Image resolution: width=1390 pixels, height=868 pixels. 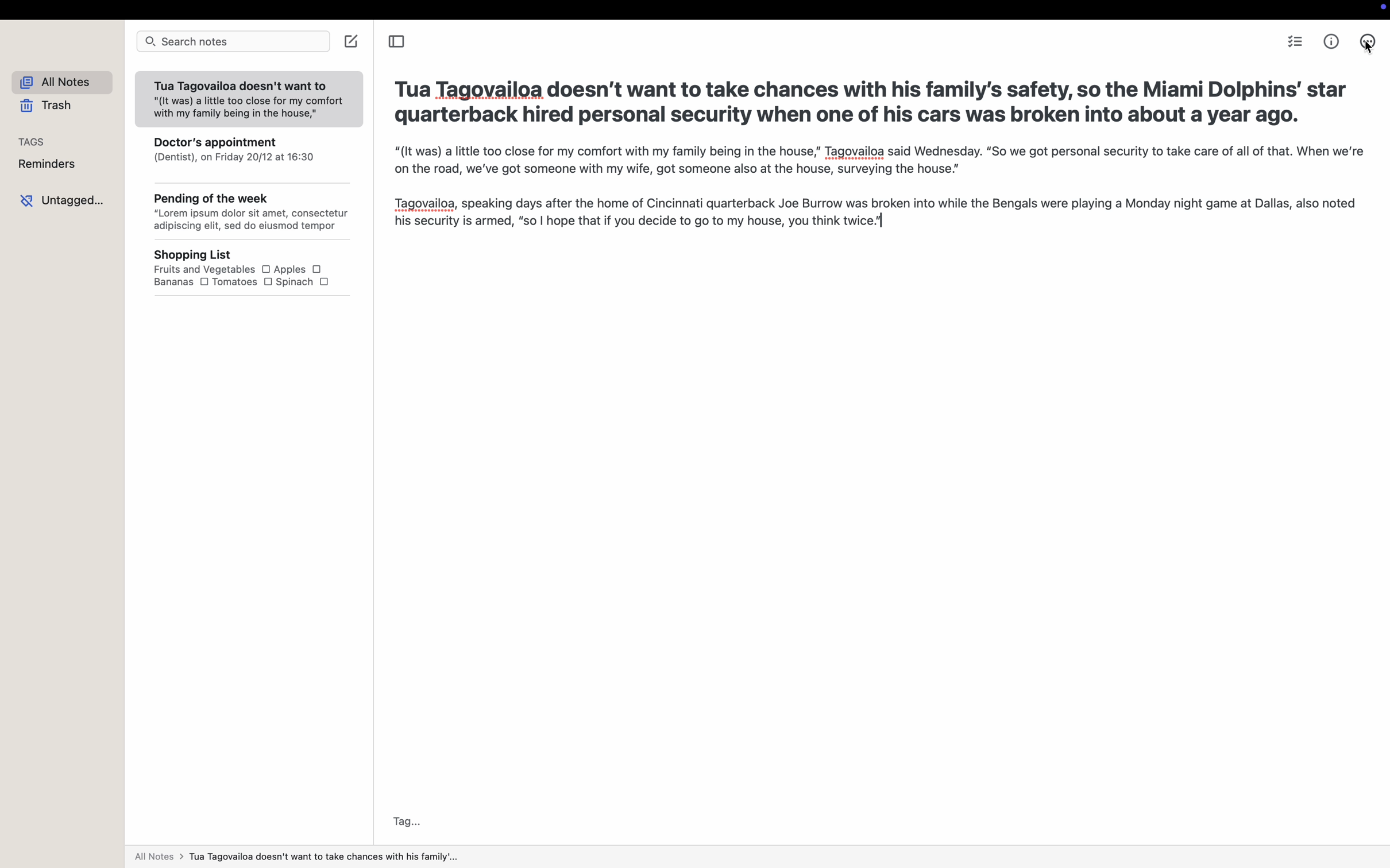 What do you see at coordinates (1365, 44) in the screenshot?
I see `click on more options` at bounding box center [1365, 44].